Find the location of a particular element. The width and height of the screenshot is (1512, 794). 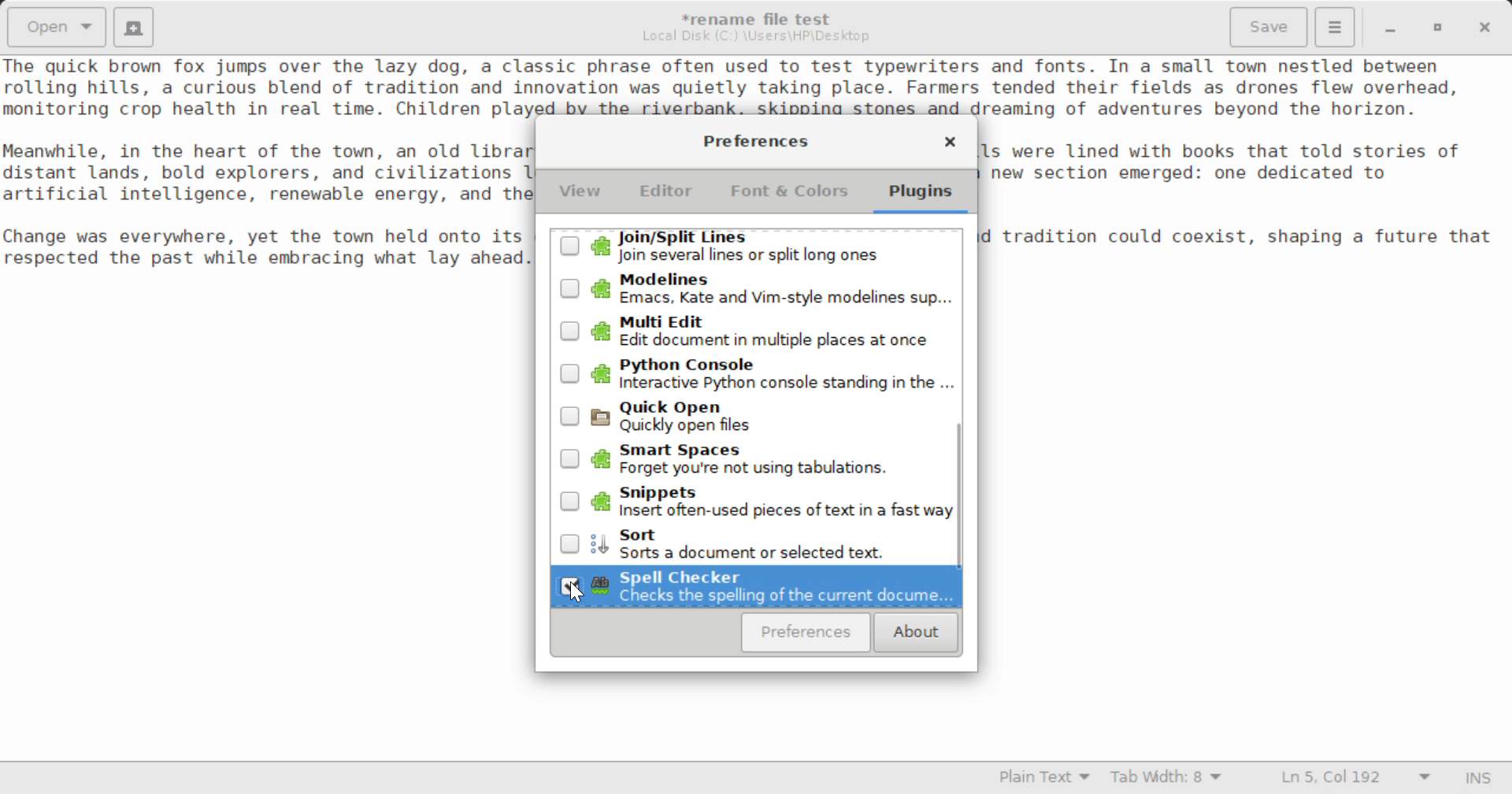

Python Console Plugin Button Unselected is located at coordinates (756, 376).